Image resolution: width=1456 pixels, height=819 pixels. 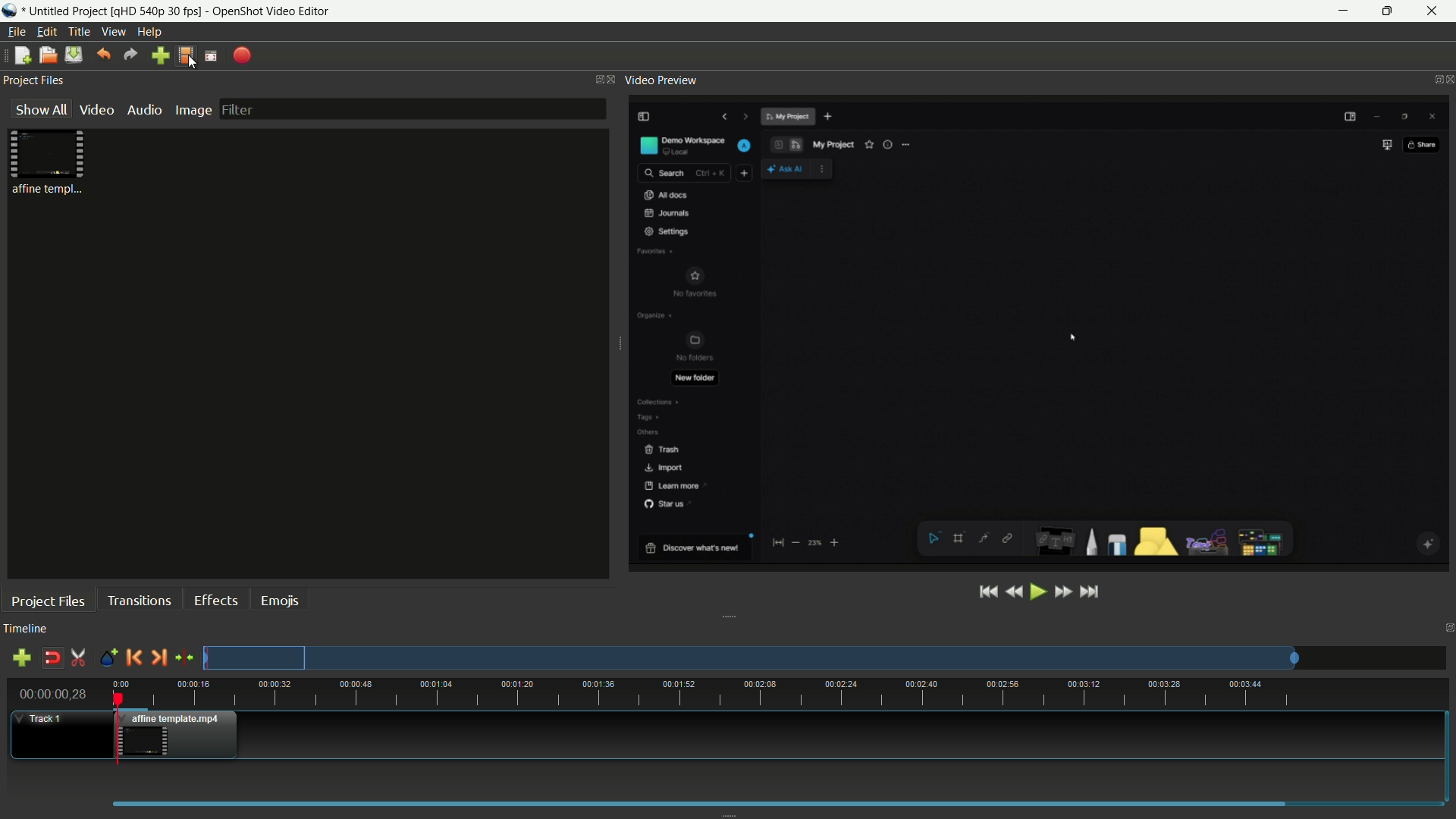 What do you see at coordinates (161, 56) in the screenshot?
I see `import file` at bounding box center [161, 56].